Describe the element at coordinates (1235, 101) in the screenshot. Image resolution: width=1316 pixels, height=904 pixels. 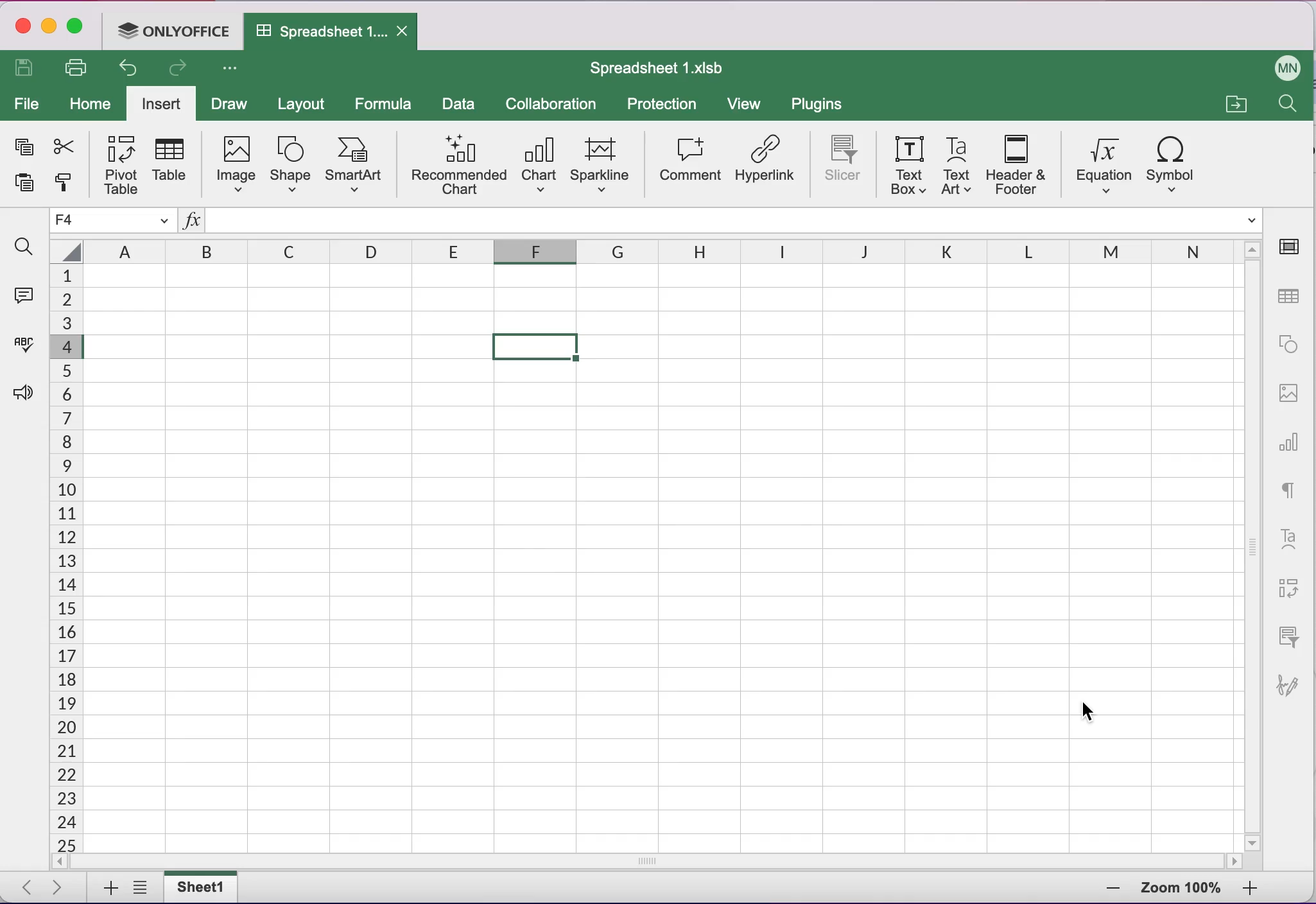
I see `open file location` at that location.